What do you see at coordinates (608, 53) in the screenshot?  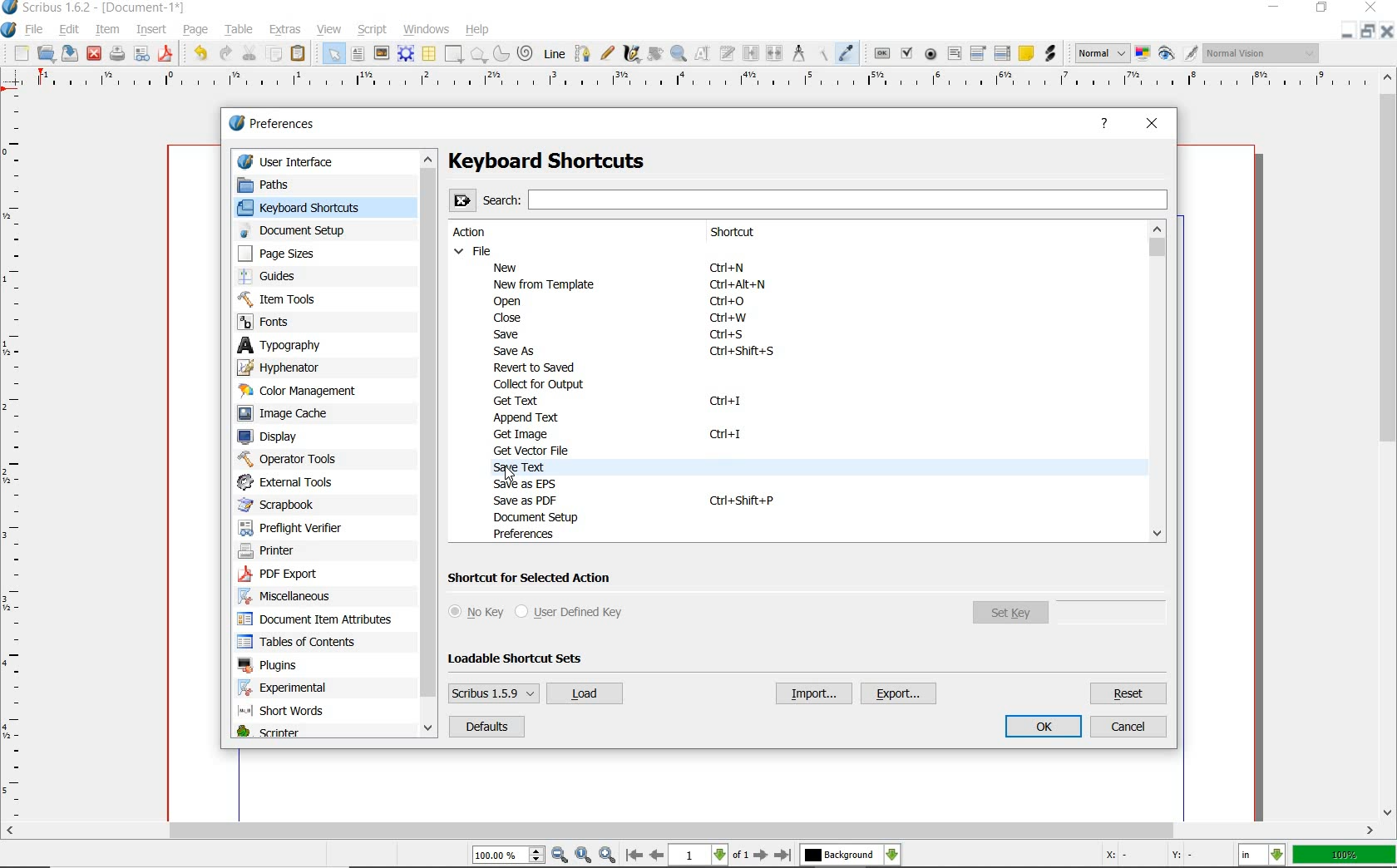 I see `freehand line` at bounding box center [608, 53].